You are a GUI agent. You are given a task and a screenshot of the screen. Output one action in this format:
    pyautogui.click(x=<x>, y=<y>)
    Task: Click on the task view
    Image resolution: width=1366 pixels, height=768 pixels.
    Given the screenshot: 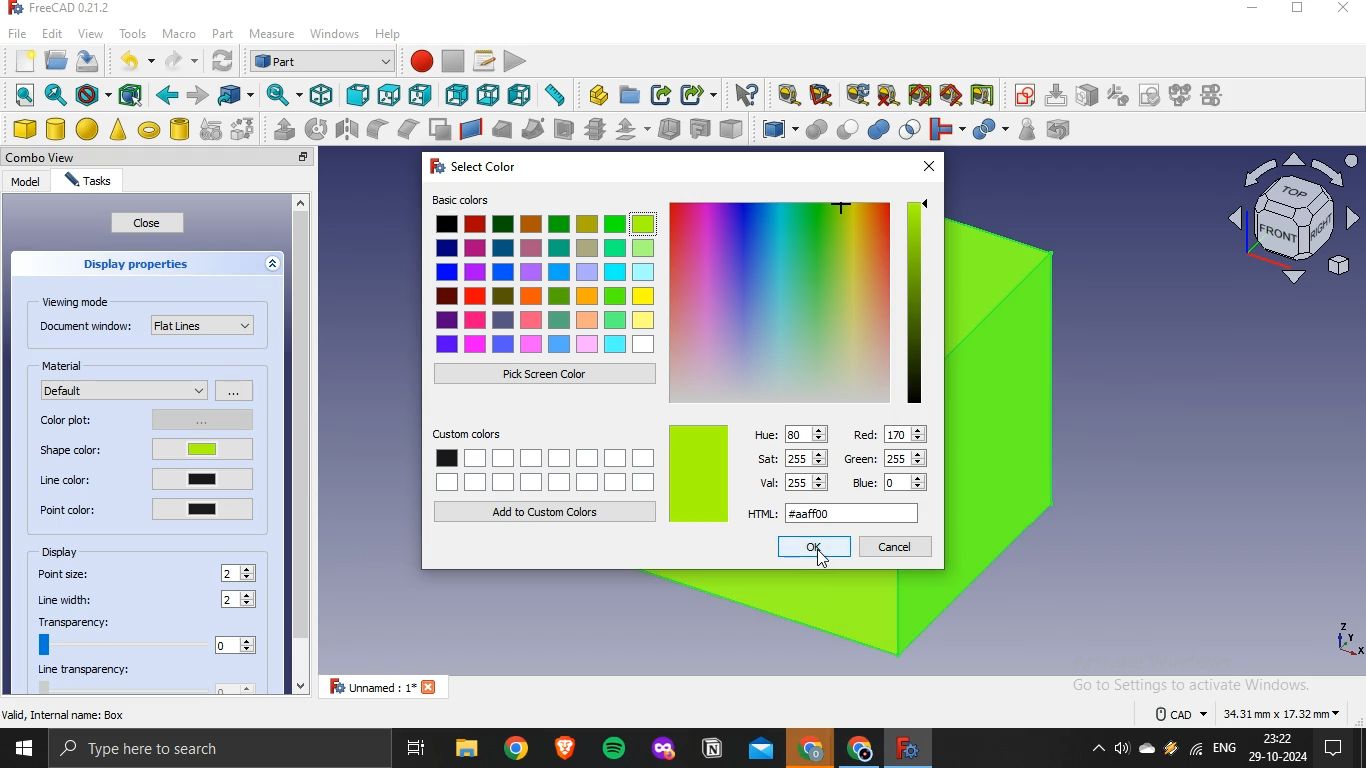 What is the action you would take?
    pyautogui.click(x=418, y=749)
    